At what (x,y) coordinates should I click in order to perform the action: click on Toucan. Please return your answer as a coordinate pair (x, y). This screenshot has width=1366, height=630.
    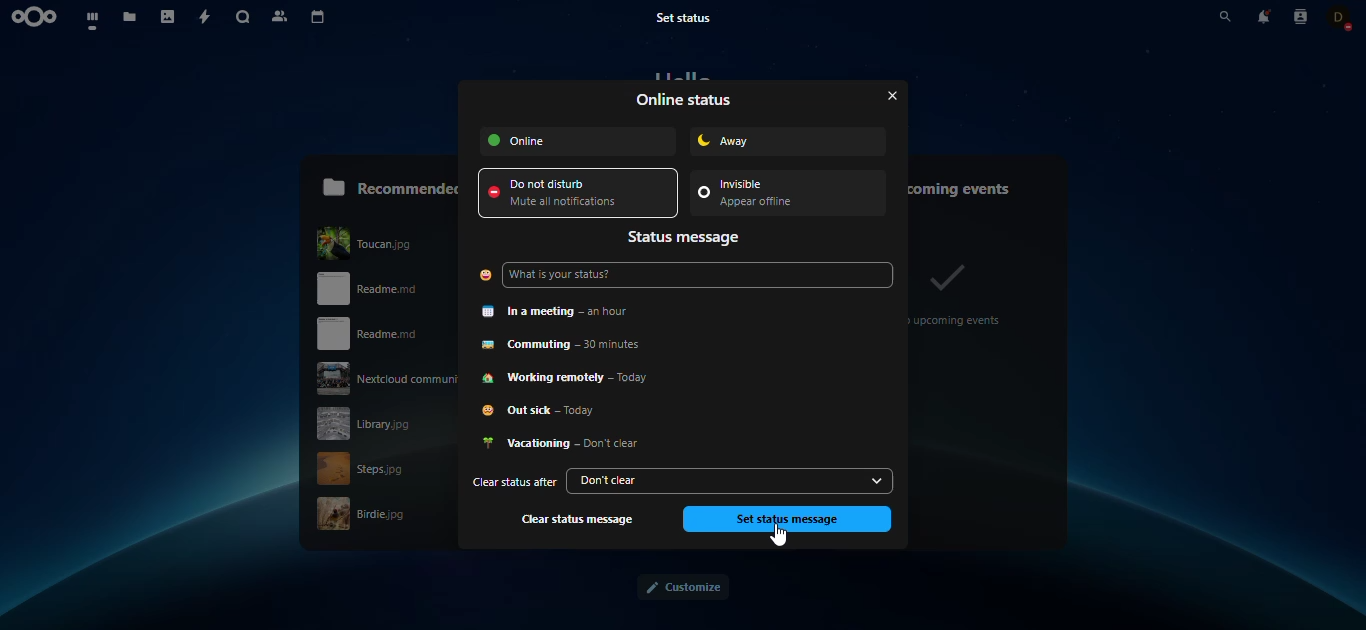
    Looking at the image, I should click on (384, 240).